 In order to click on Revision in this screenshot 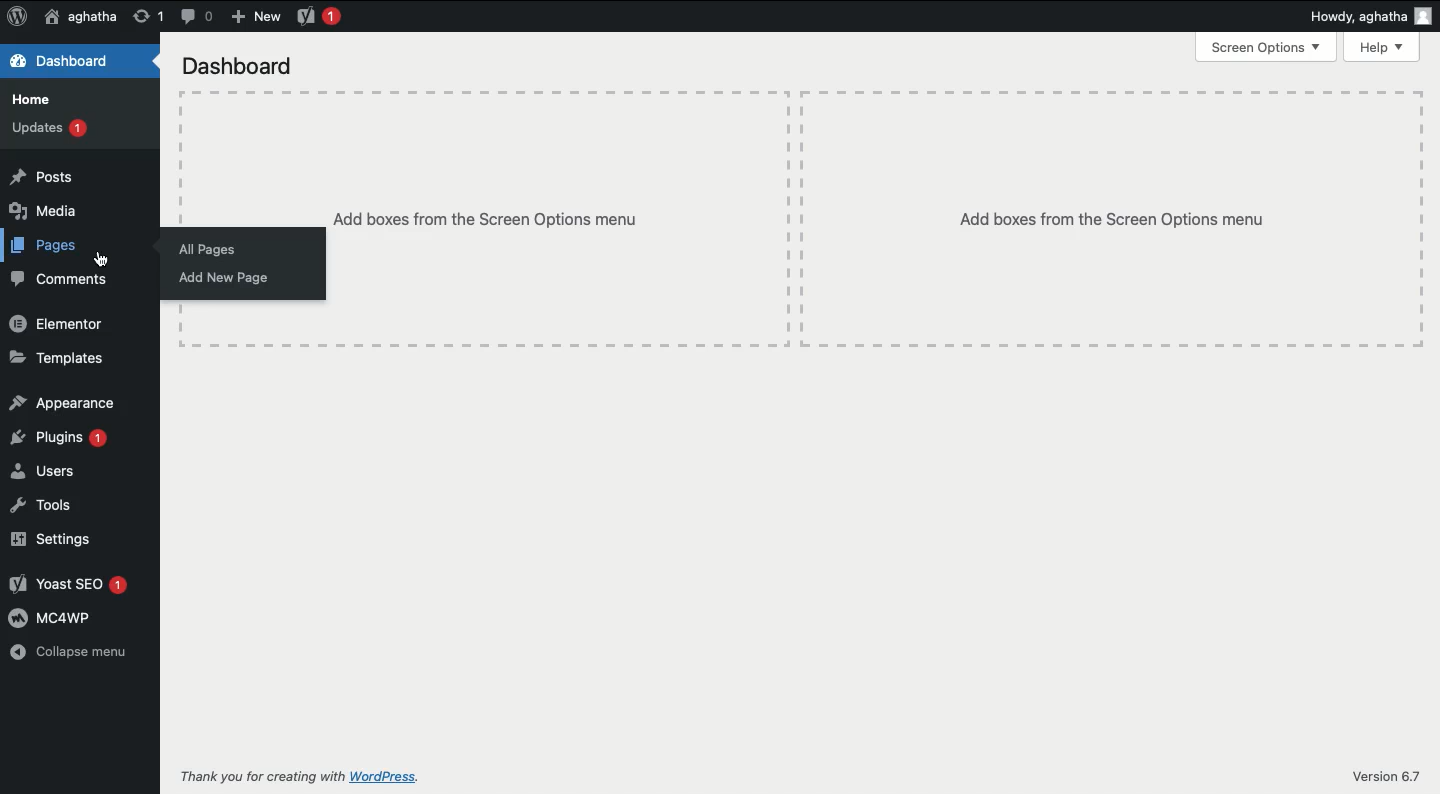, I will do `click(144, 16)`.